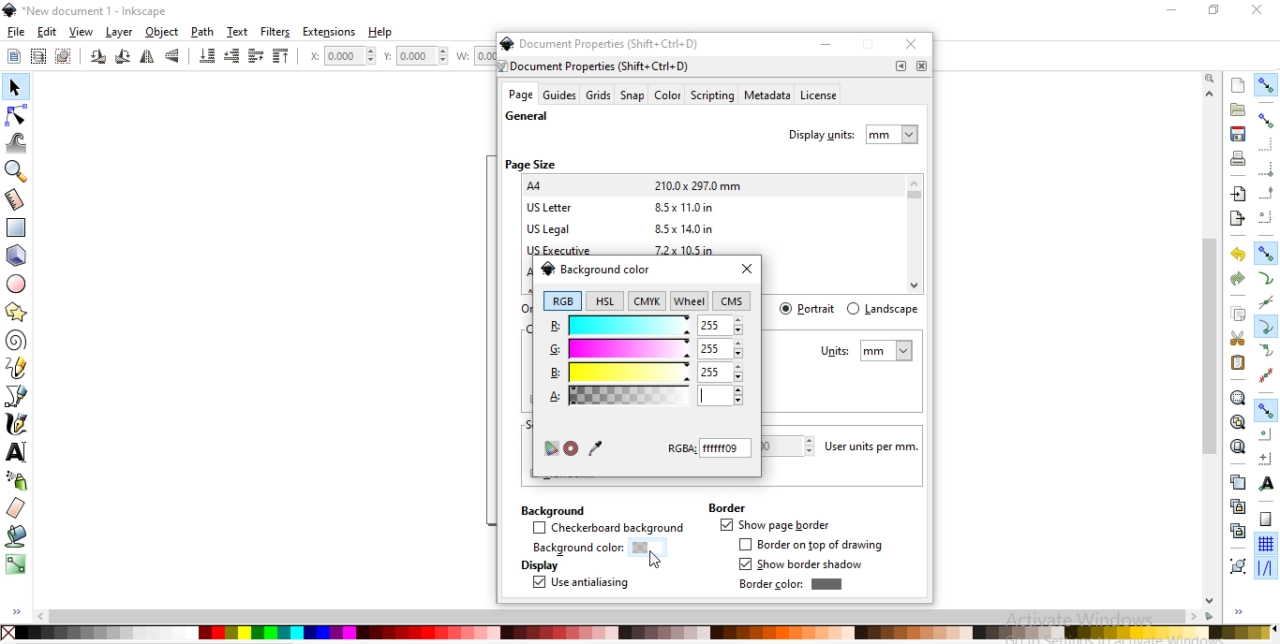 Image resolution: width=1280 pixels, height=644 pixels. Describe the element at coordinates (1265, 328) in the screenshot. I see `snap cusp nodes` at that location.